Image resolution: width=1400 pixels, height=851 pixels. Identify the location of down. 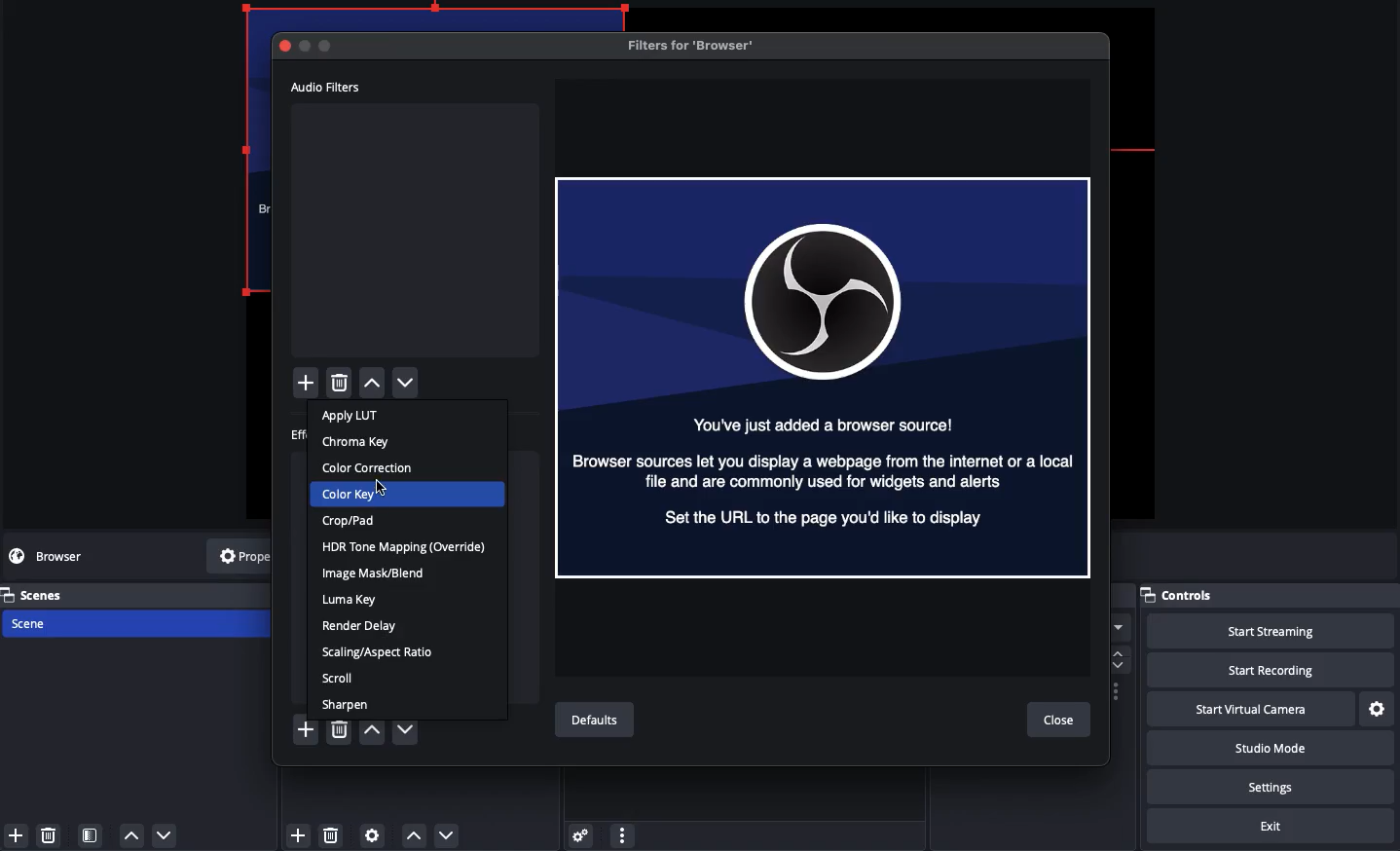
(410, 385).